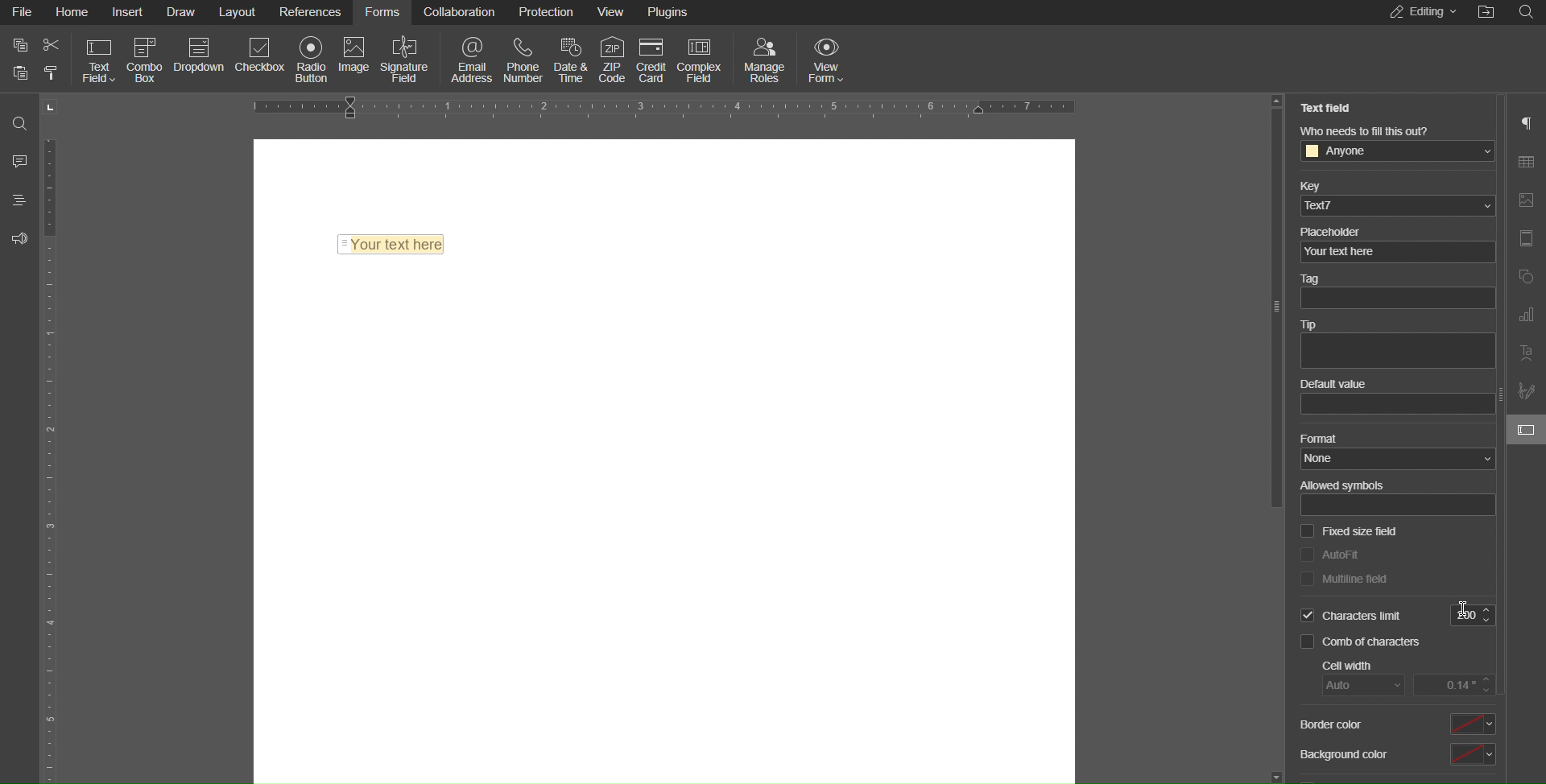 Image resolution: width=1546 pixels, height=784 pixels. Describe the element at coordinates (524, 59) in the screenshot. I see `Phone Number` at that location.